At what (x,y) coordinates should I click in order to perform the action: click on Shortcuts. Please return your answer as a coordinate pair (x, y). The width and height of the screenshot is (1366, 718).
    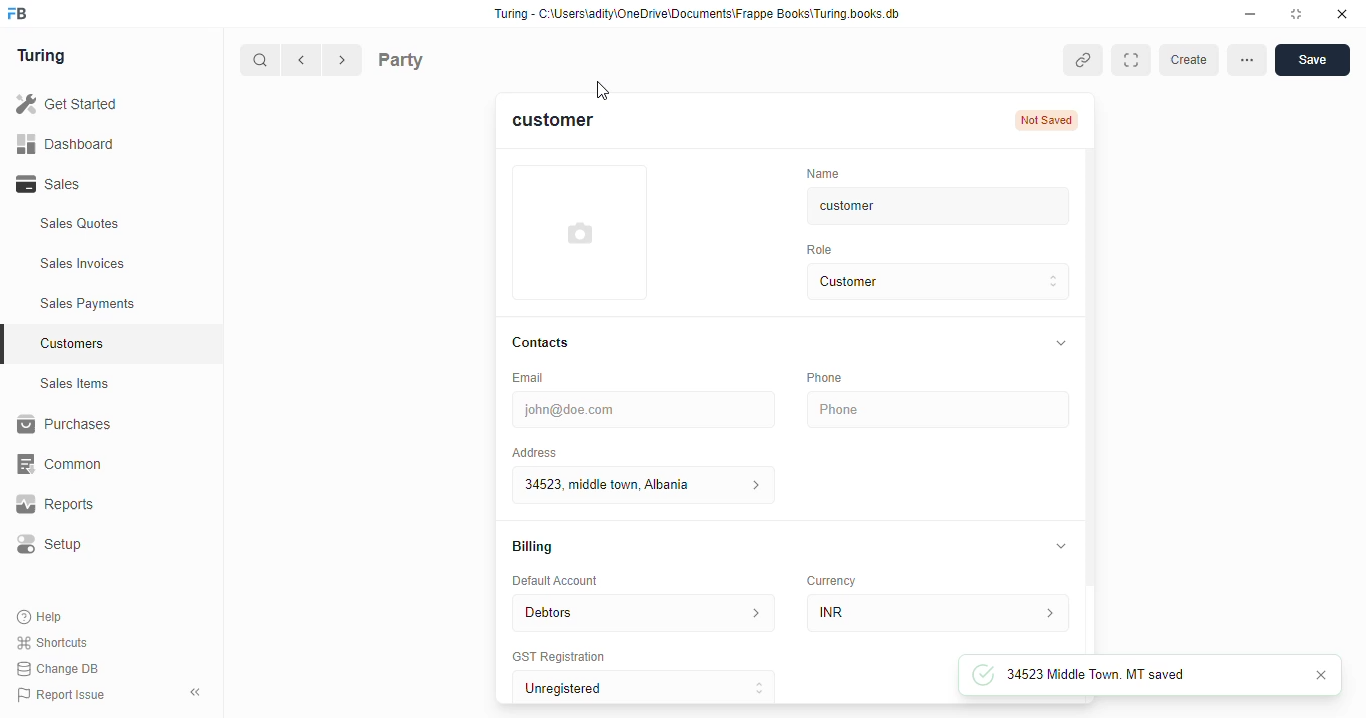
    Looking at the image, I should click on (58, 643).